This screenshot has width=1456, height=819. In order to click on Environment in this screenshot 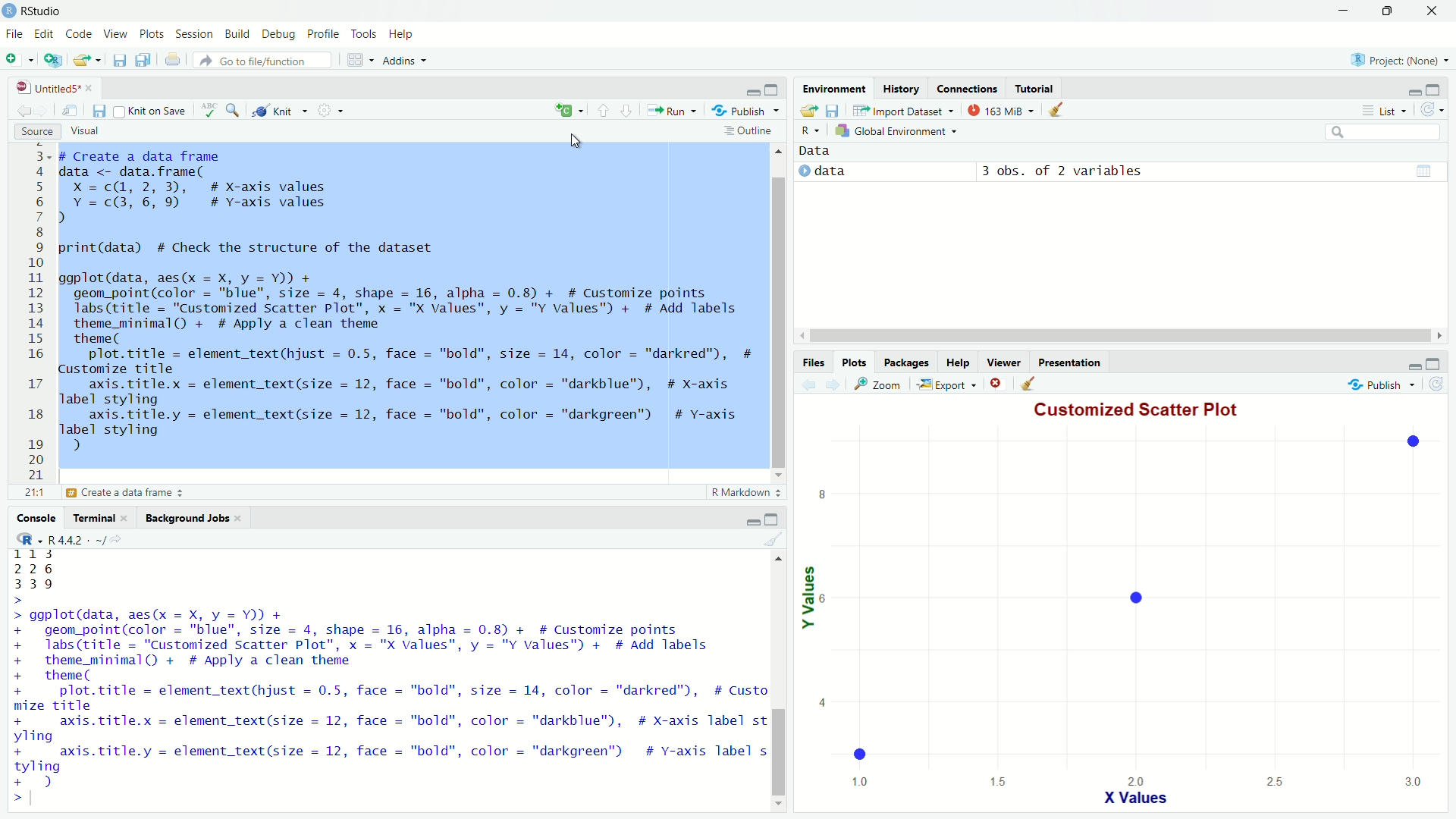, I will do `click(834, 88)`.